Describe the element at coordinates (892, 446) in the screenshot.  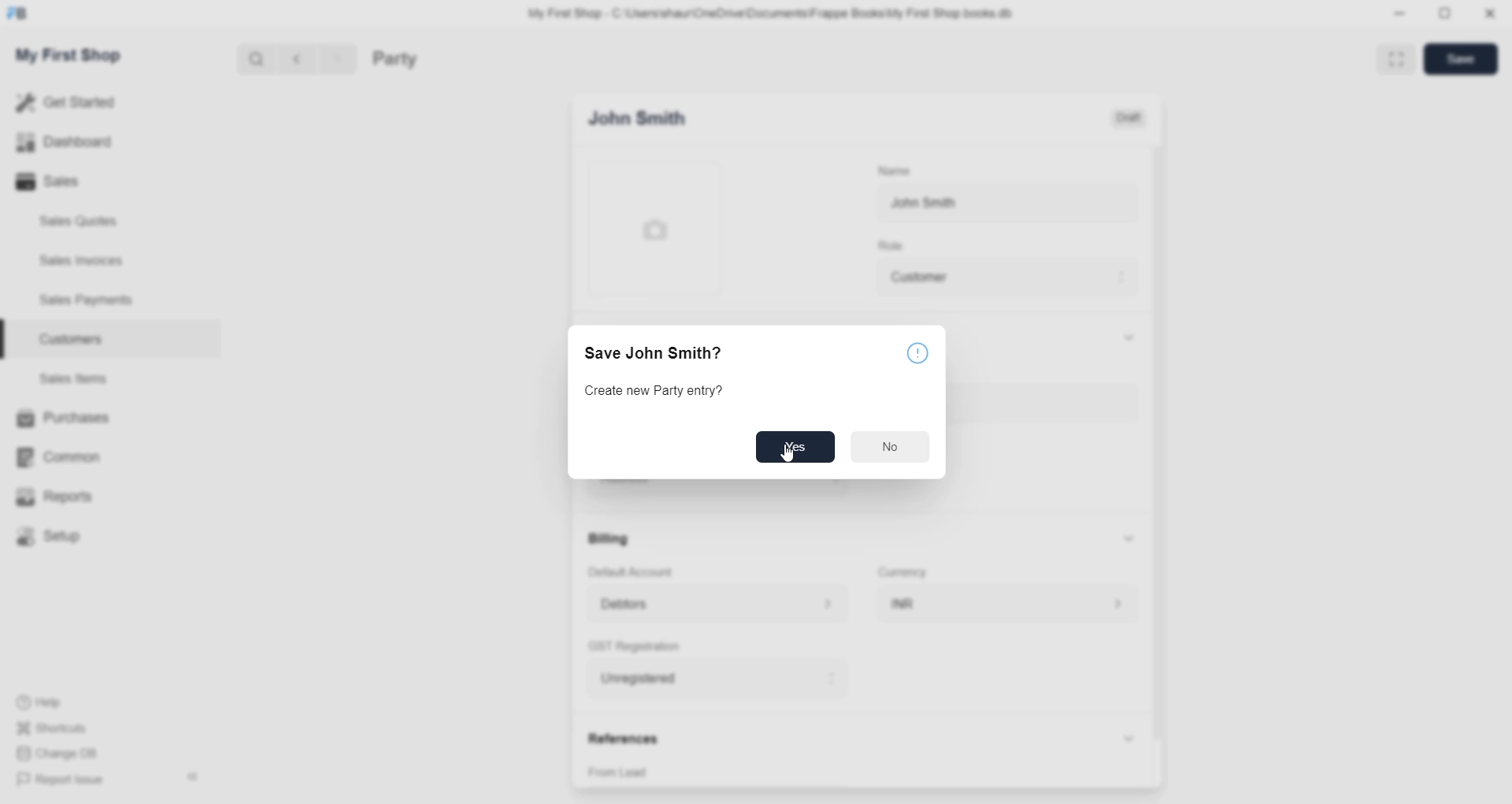
I see `No` at that location.